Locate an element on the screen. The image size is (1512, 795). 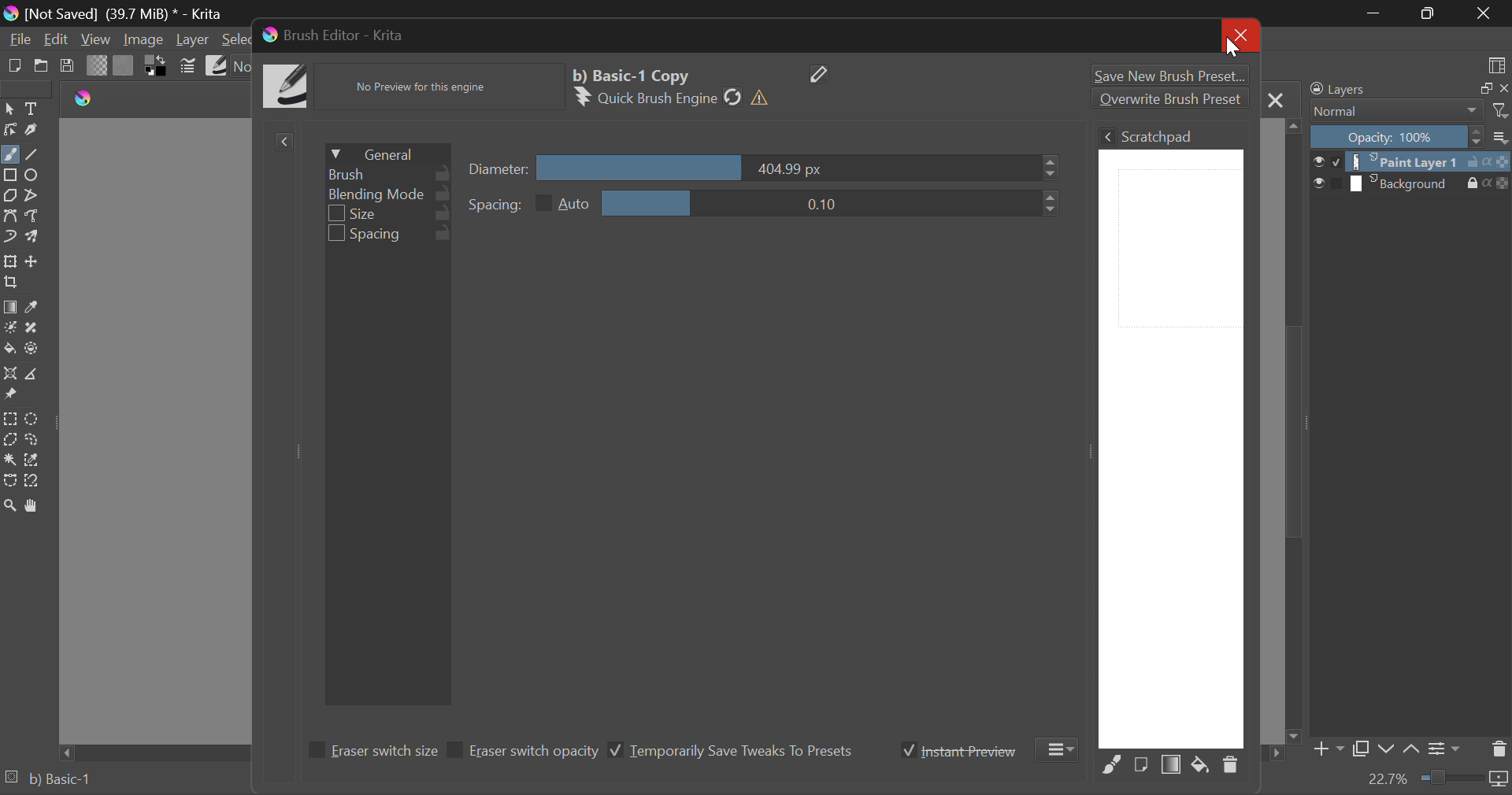
Similar Color Selector is located at coordinates (31, 460).